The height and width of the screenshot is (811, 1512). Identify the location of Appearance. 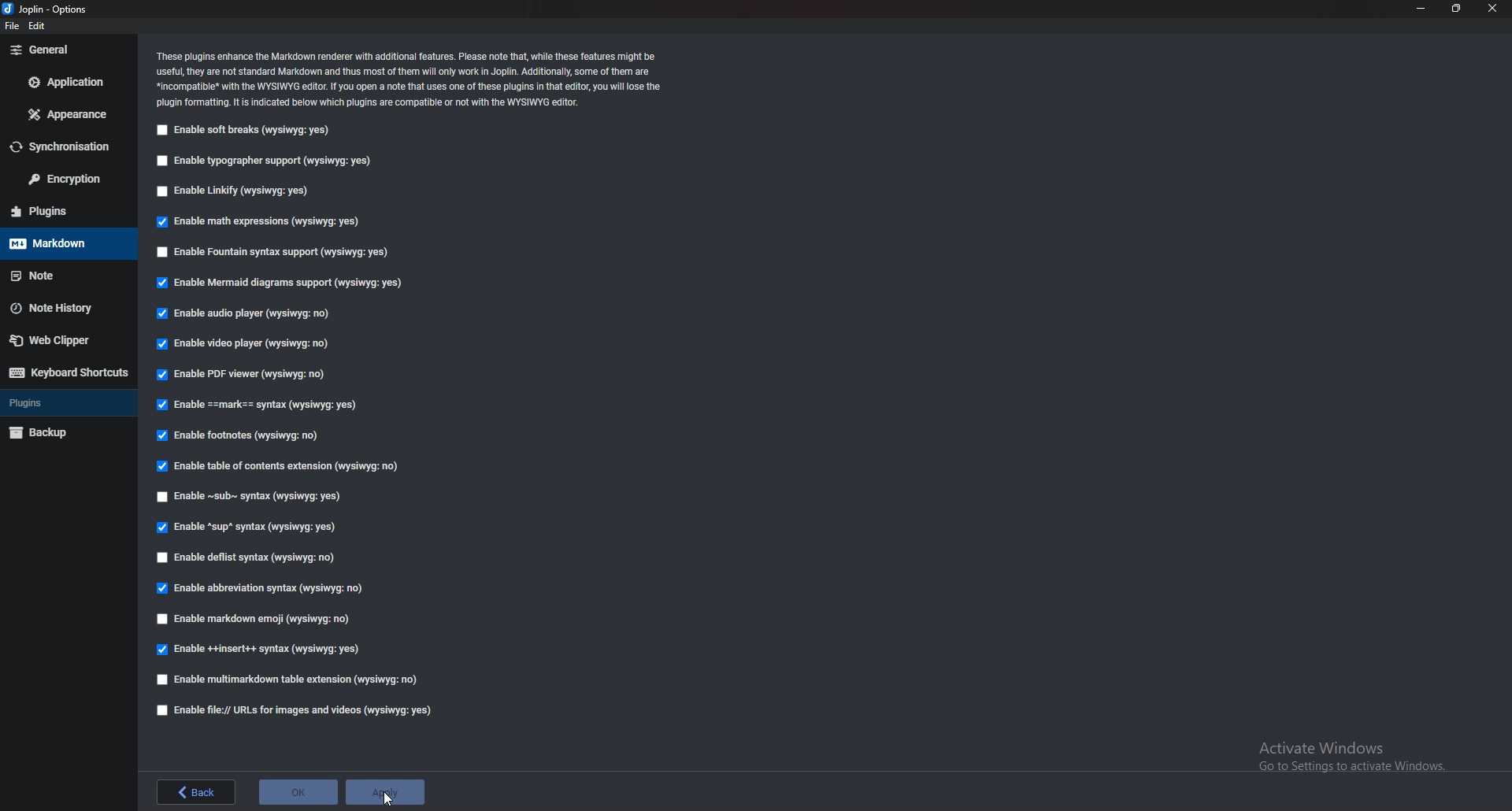
(69, 114).